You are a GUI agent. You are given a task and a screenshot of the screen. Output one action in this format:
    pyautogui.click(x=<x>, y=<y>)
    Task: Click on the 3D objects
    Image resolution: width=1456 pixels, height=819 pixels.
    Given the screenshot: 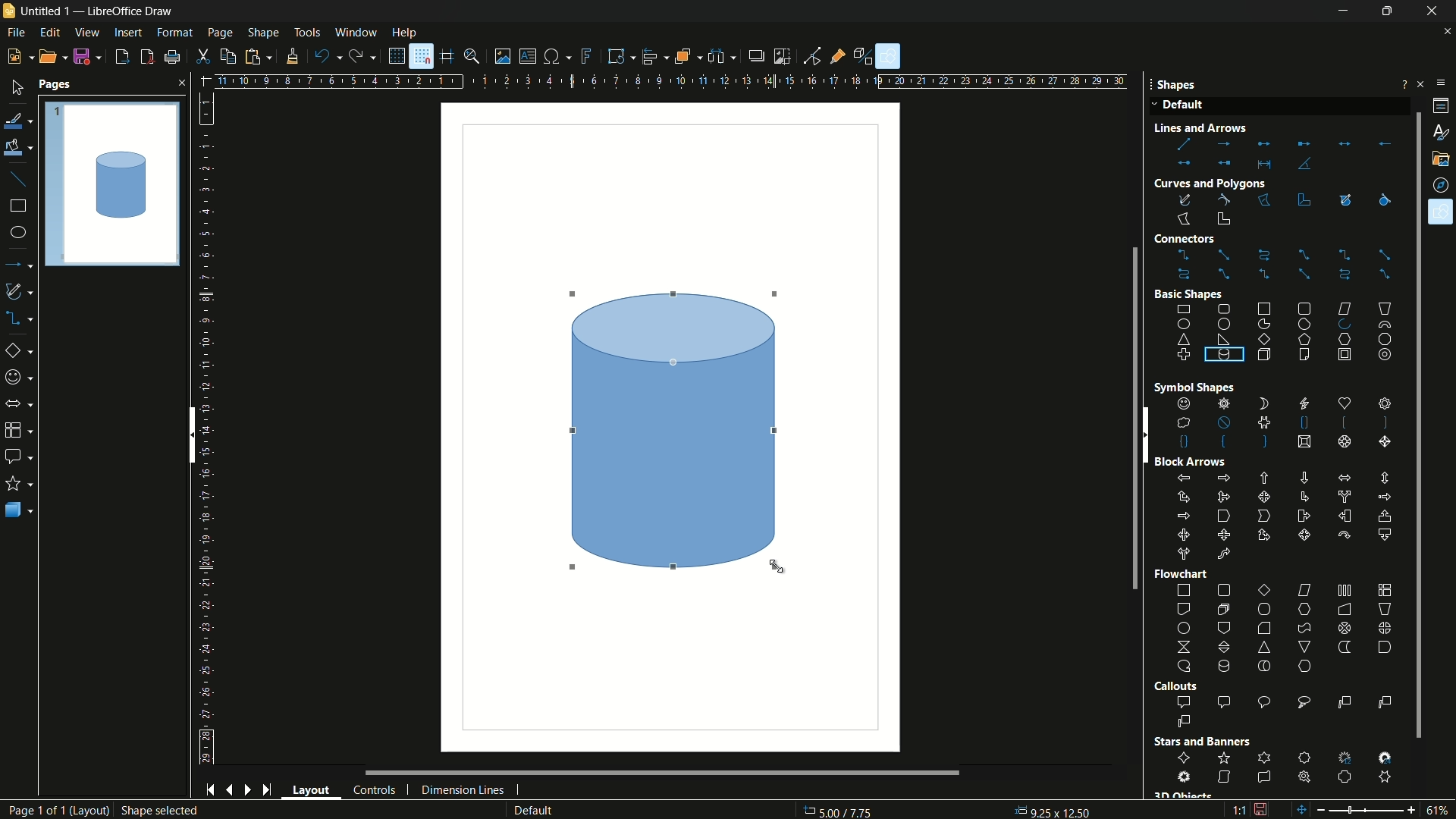 What is the action you would take?
    pyautogui.click(x=19, y=510)
    